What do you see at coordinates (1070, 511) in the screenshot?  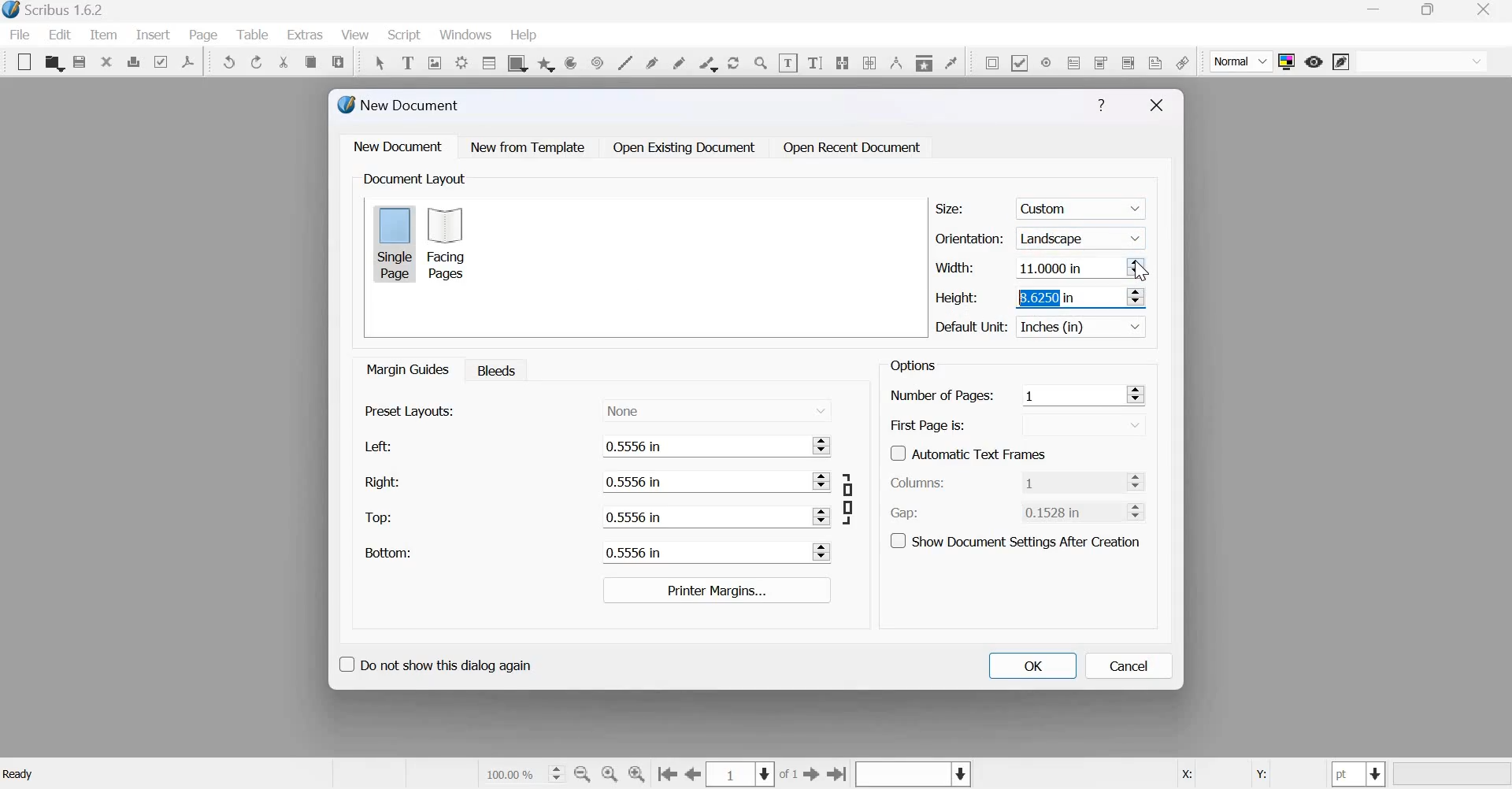 I see `0.1528 in` at bounding box center [1070, 511].